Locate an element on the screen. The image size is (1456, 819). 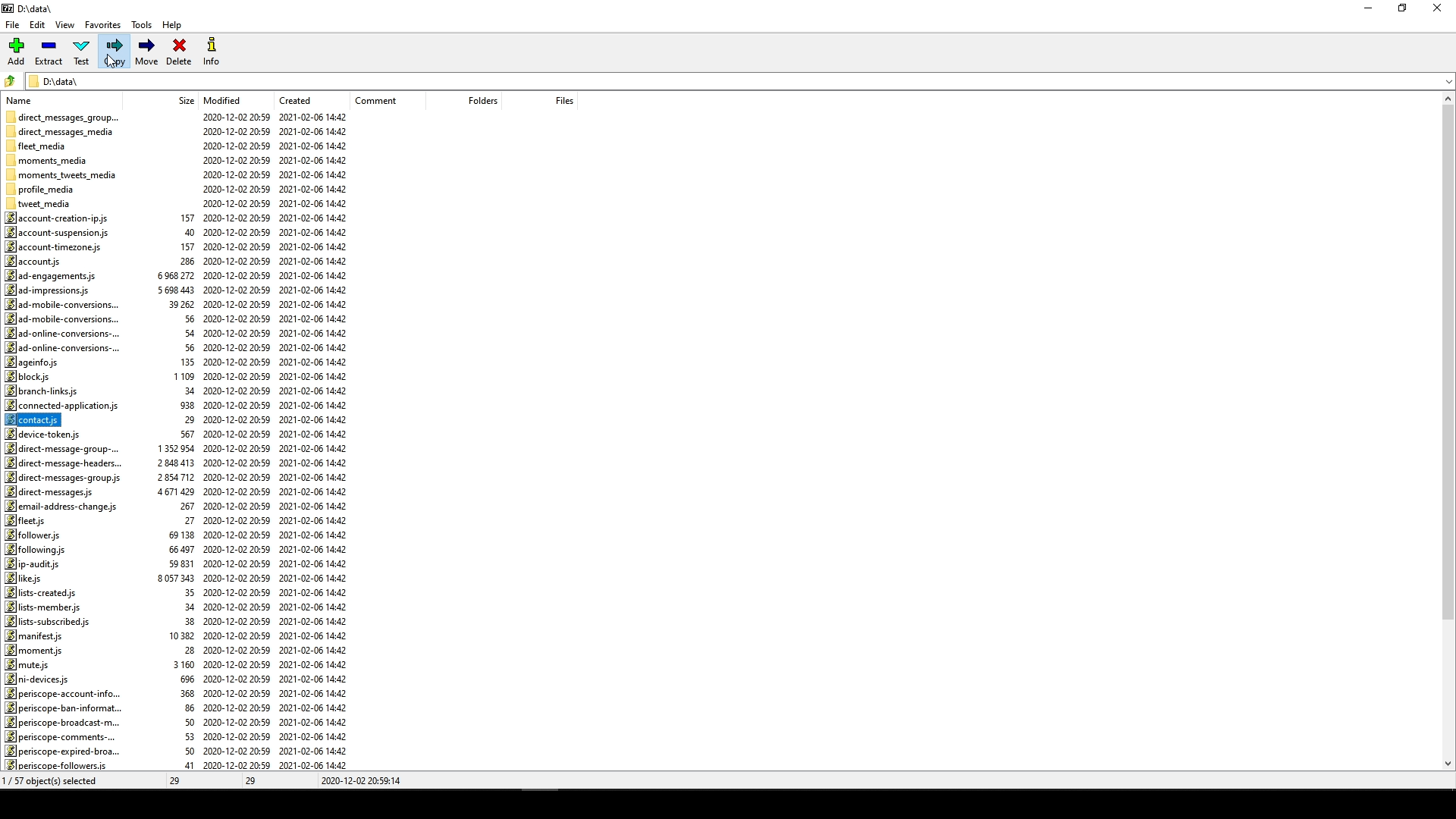
lists-member.js is located at coordinates (42, 607).